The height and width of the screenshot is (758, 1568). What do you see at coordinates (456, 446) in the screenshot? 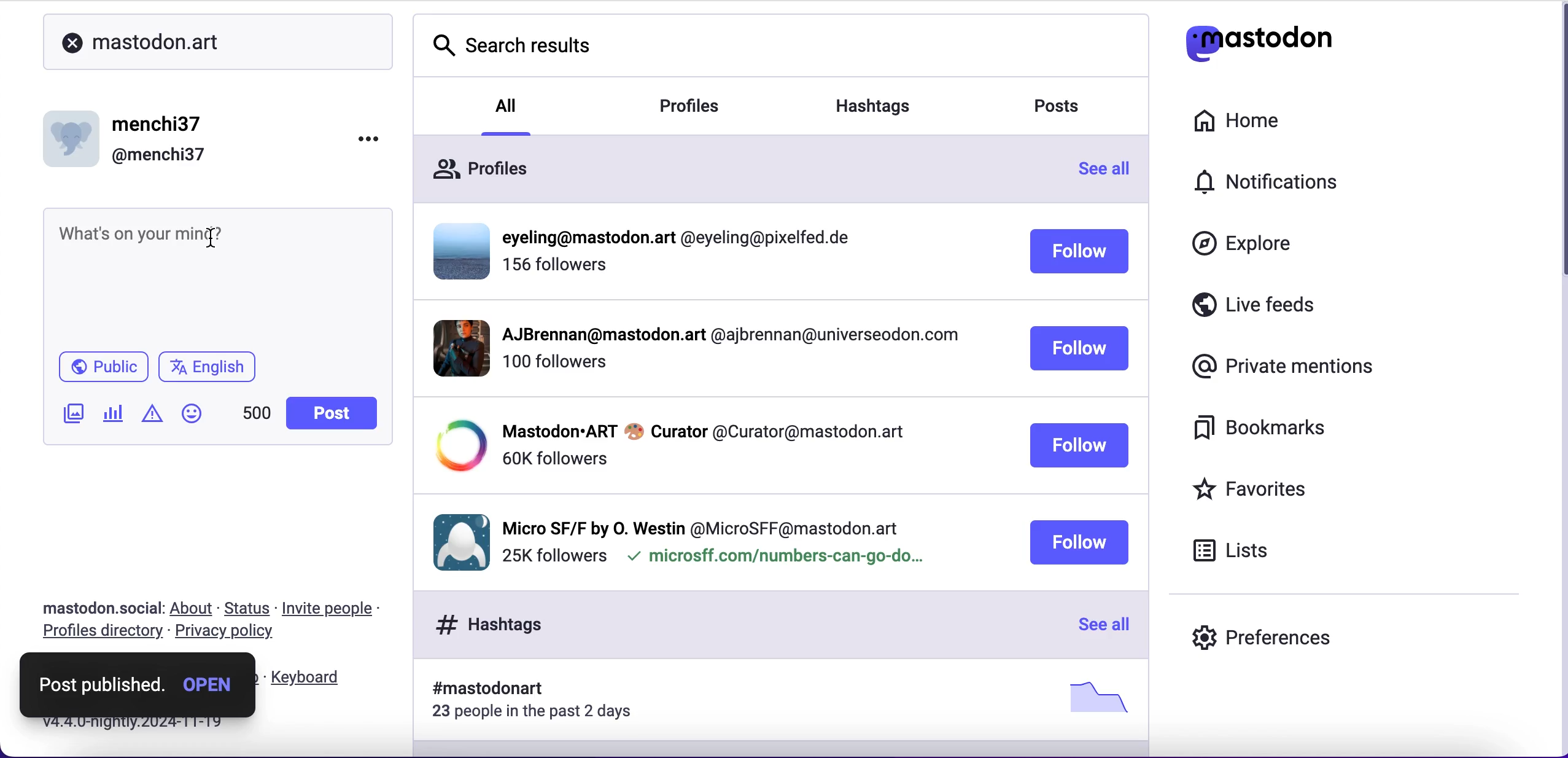
I see `display picture` at bounding box center [456, 446].